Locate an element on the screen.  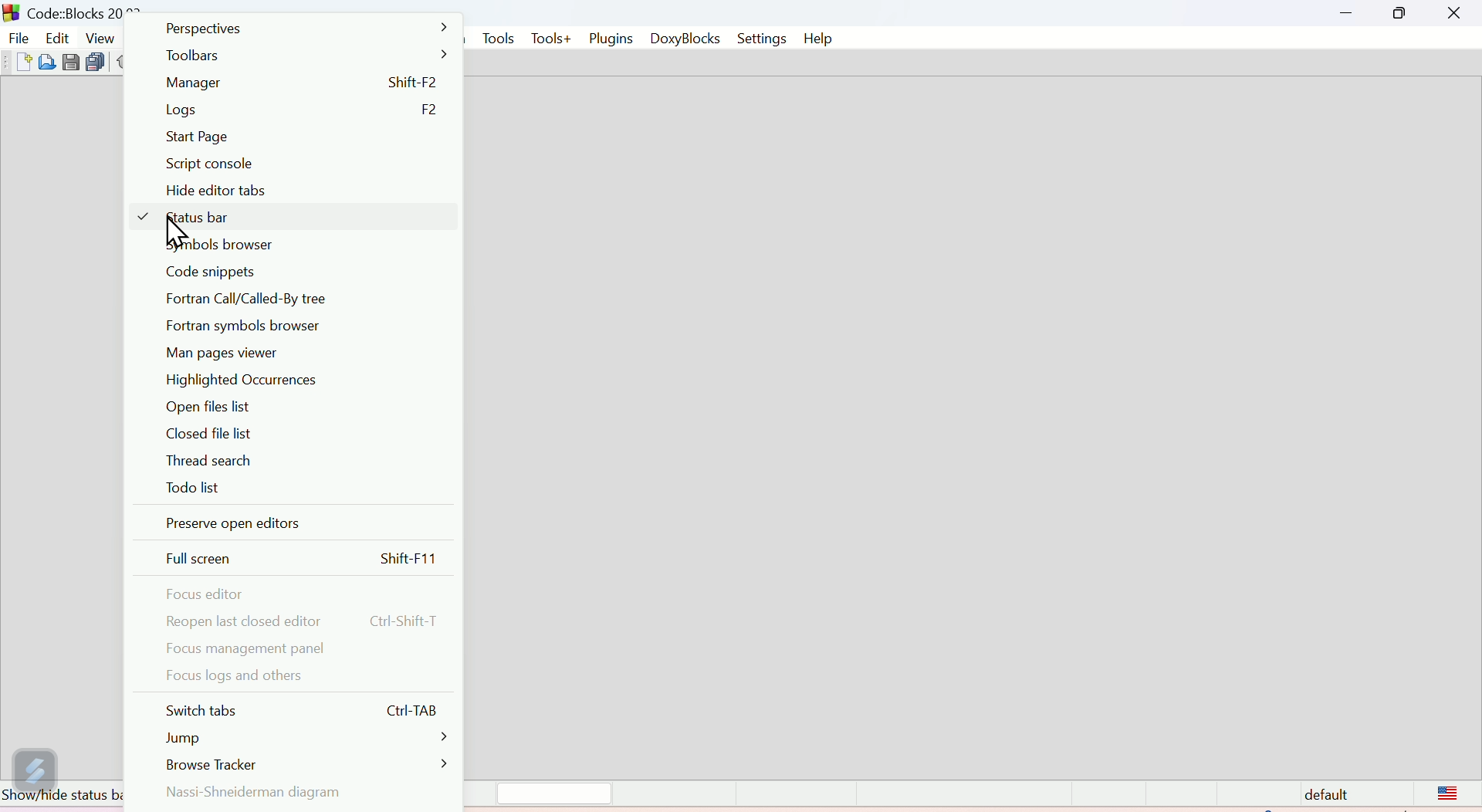
 is located at coordinates (57, 37).